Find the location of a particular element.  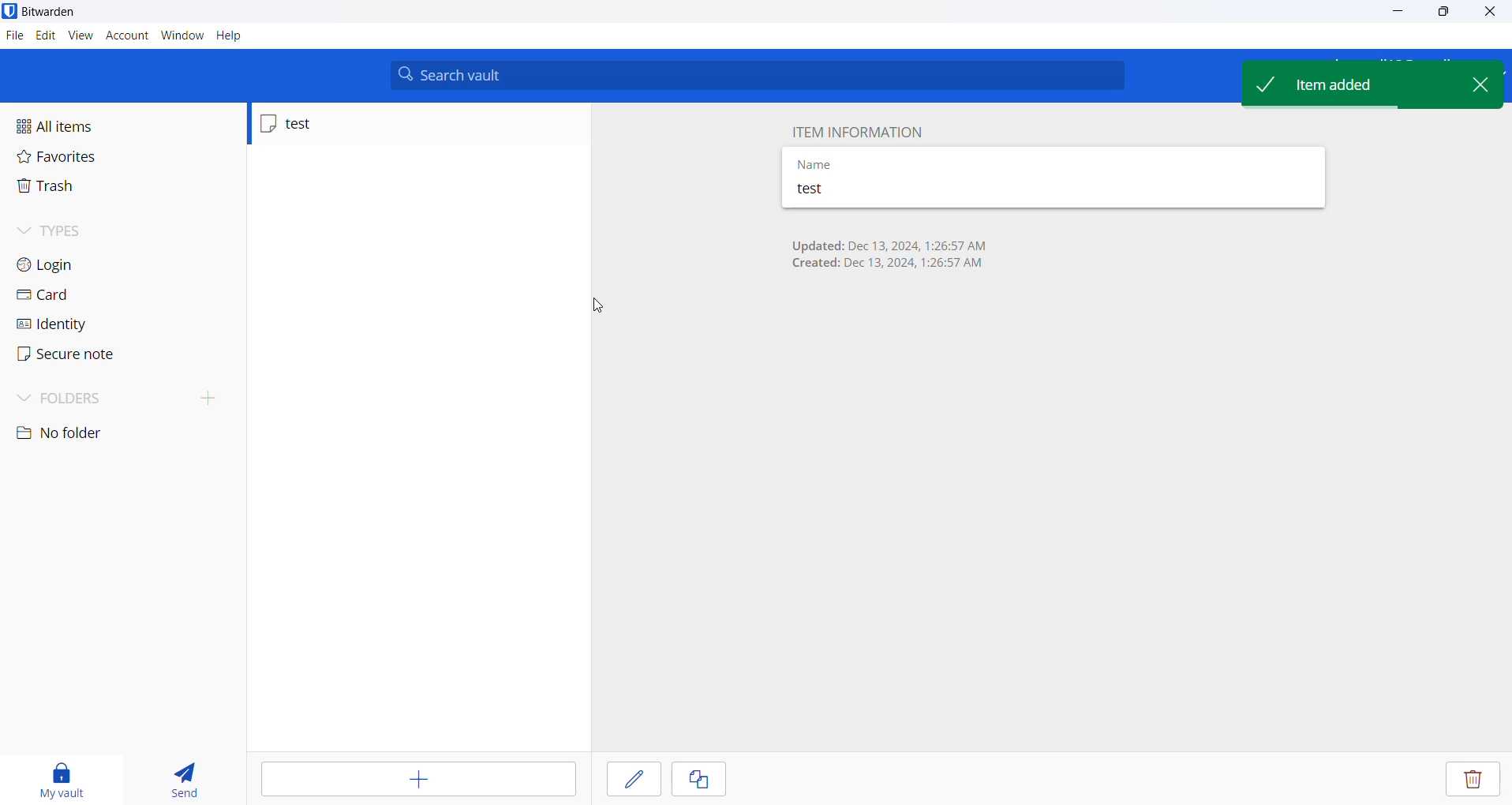

item info heading is located at coordinates (860, 129).